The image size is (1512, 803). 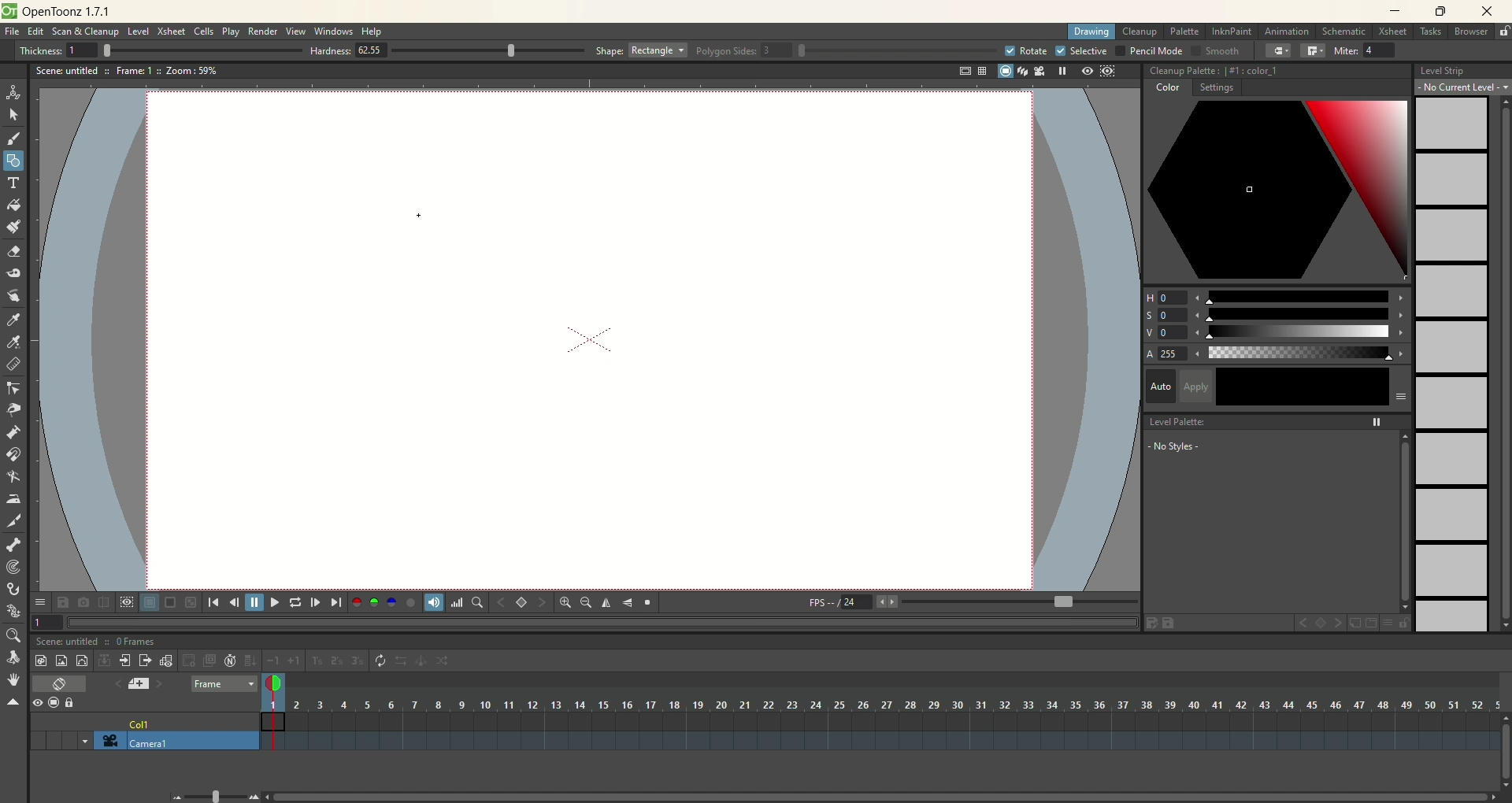 I want to click on camera stand view, so click(x=1002, y=72).